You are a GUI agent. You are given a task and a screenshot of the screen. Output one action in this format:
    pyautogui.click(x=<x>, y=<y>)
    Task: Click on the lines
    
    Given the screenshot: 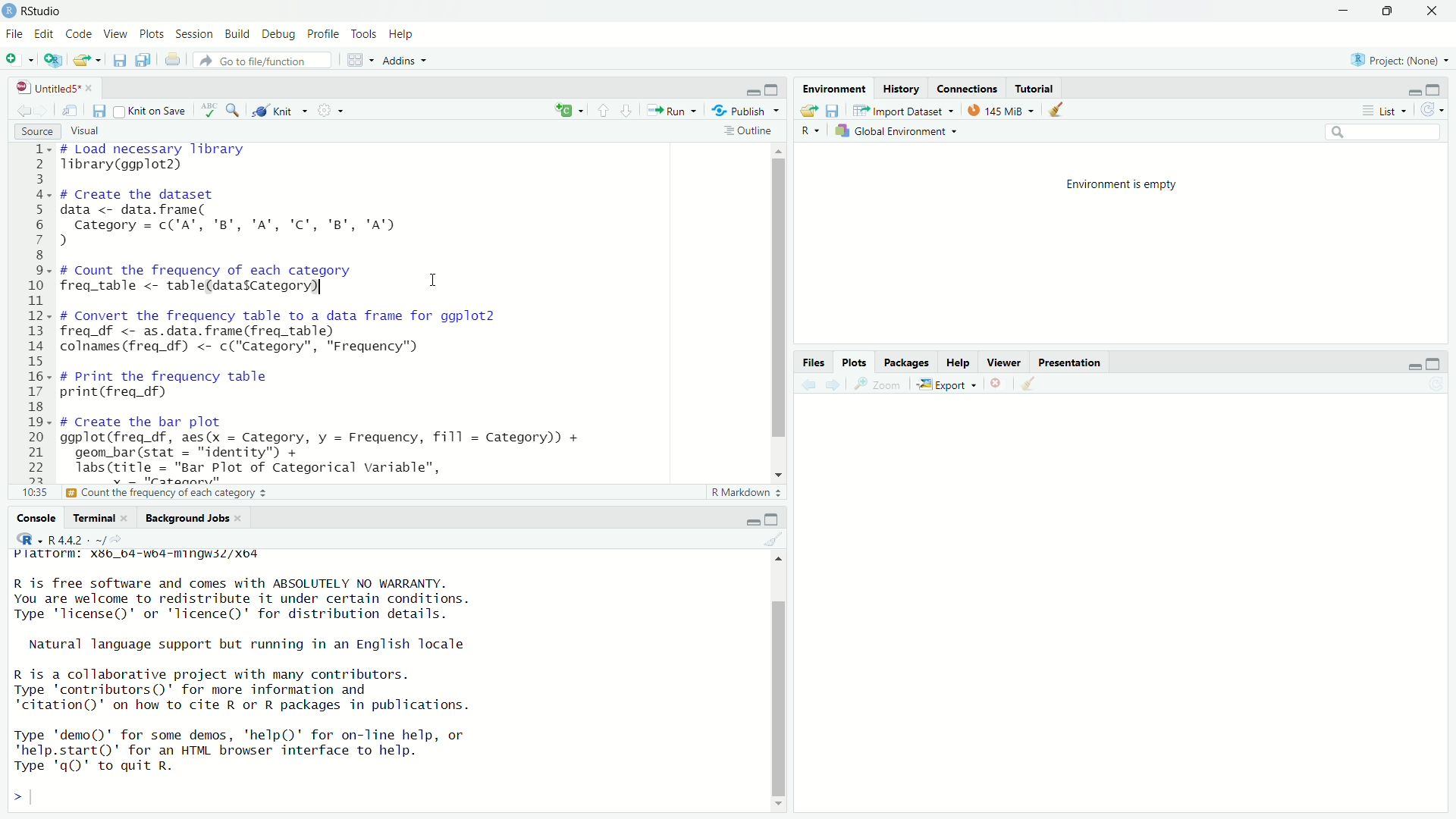 What is the action you would take?
    pyautogui.click(x=35, y=322)
    